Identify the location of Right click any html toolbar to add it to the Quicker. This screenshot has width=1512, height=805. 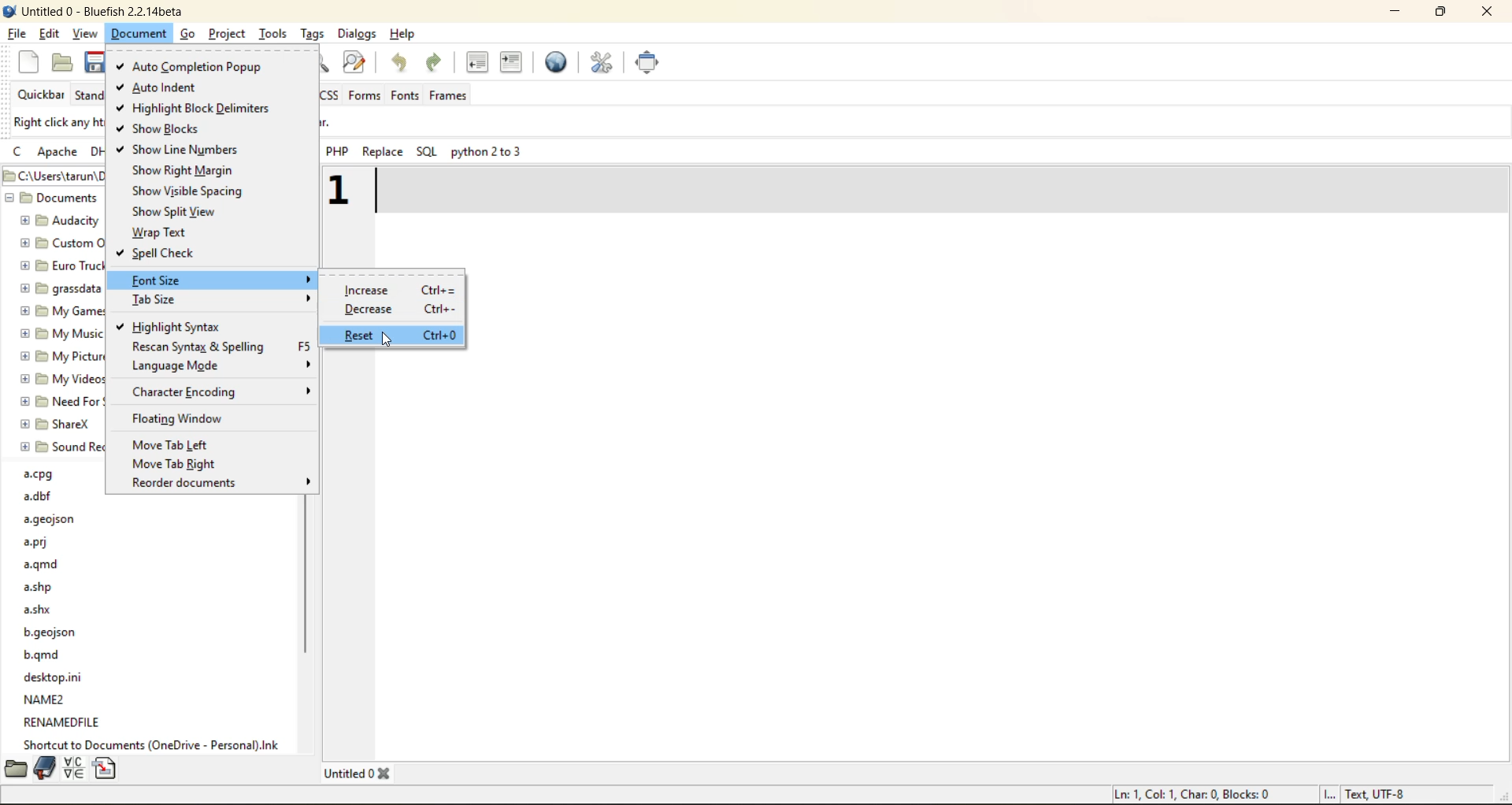
(56, 121).